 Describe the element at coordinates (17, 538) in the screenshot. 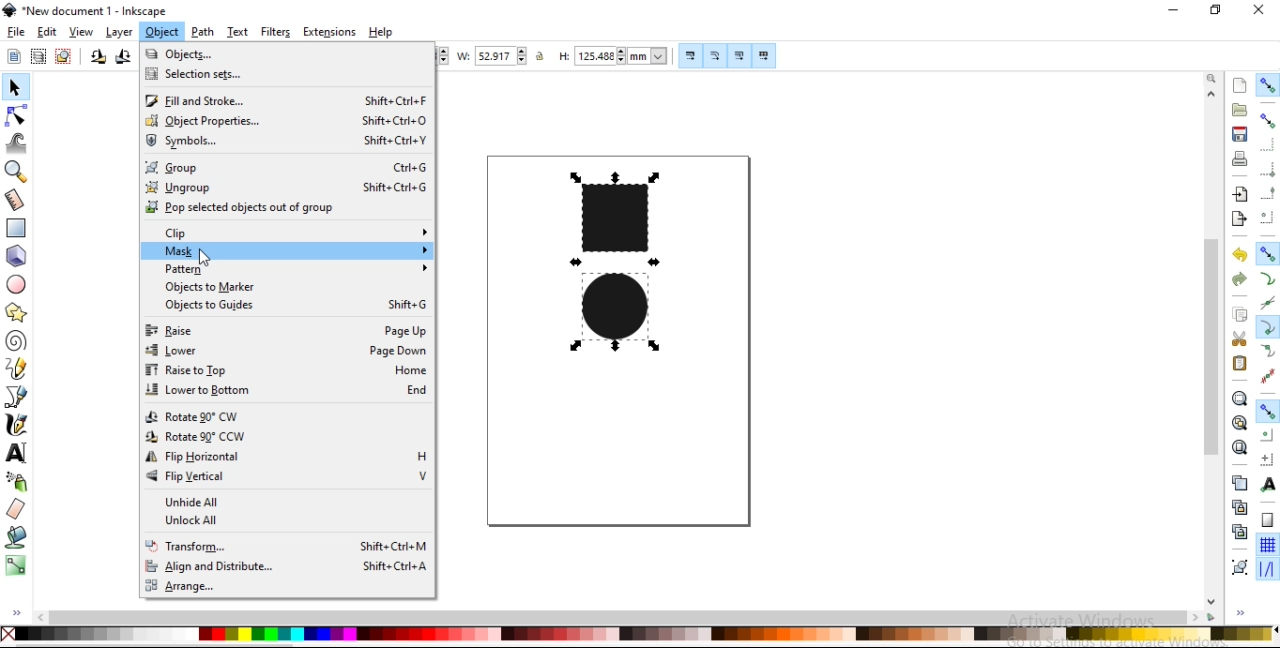

I see `fill bounded areas` at that location.